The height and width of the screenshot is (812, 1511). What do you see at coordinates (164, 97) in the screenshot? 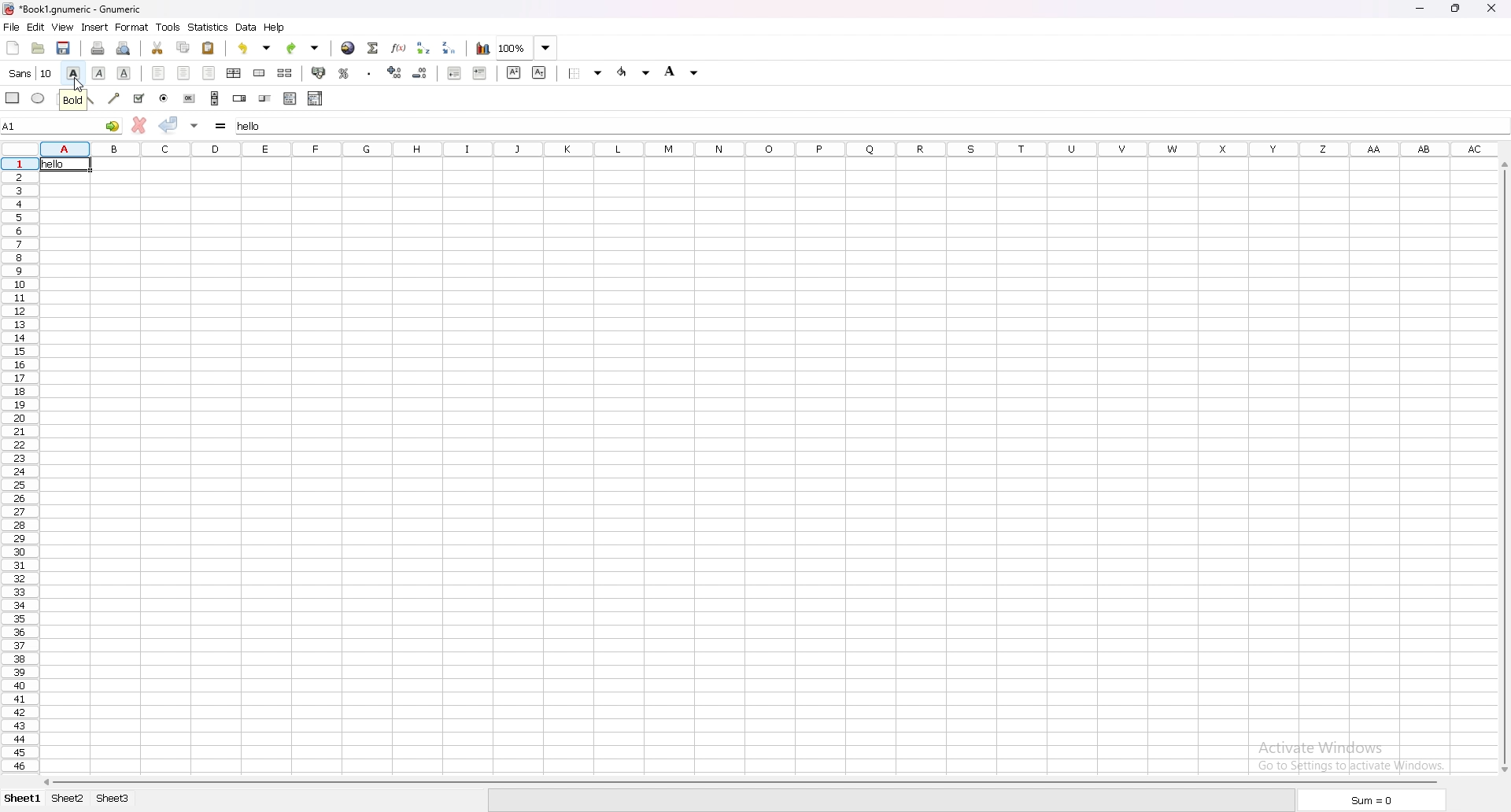
I see `radio button` at bounding box center [164, 97].